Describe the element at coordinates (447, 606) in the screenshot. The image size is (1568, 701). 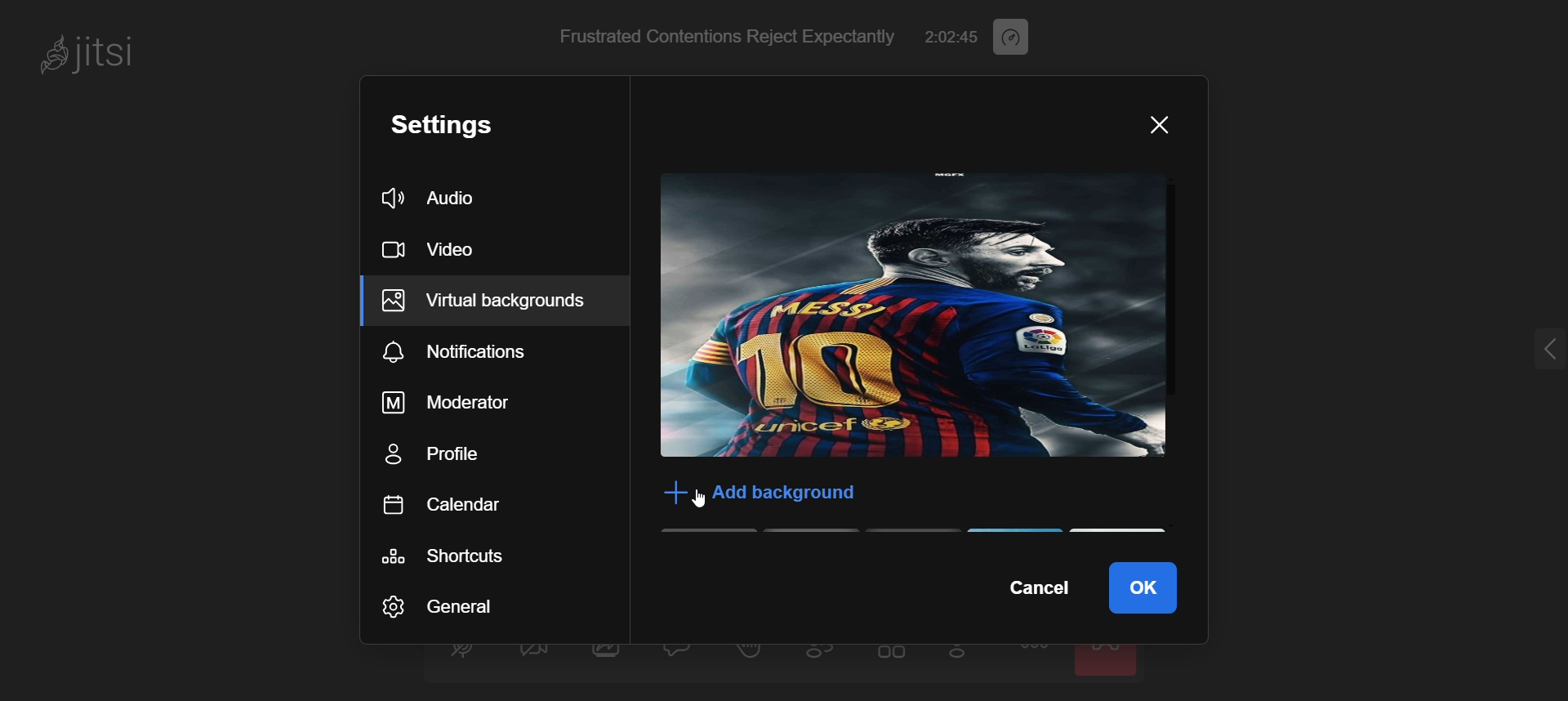
I see `General ` at that location.